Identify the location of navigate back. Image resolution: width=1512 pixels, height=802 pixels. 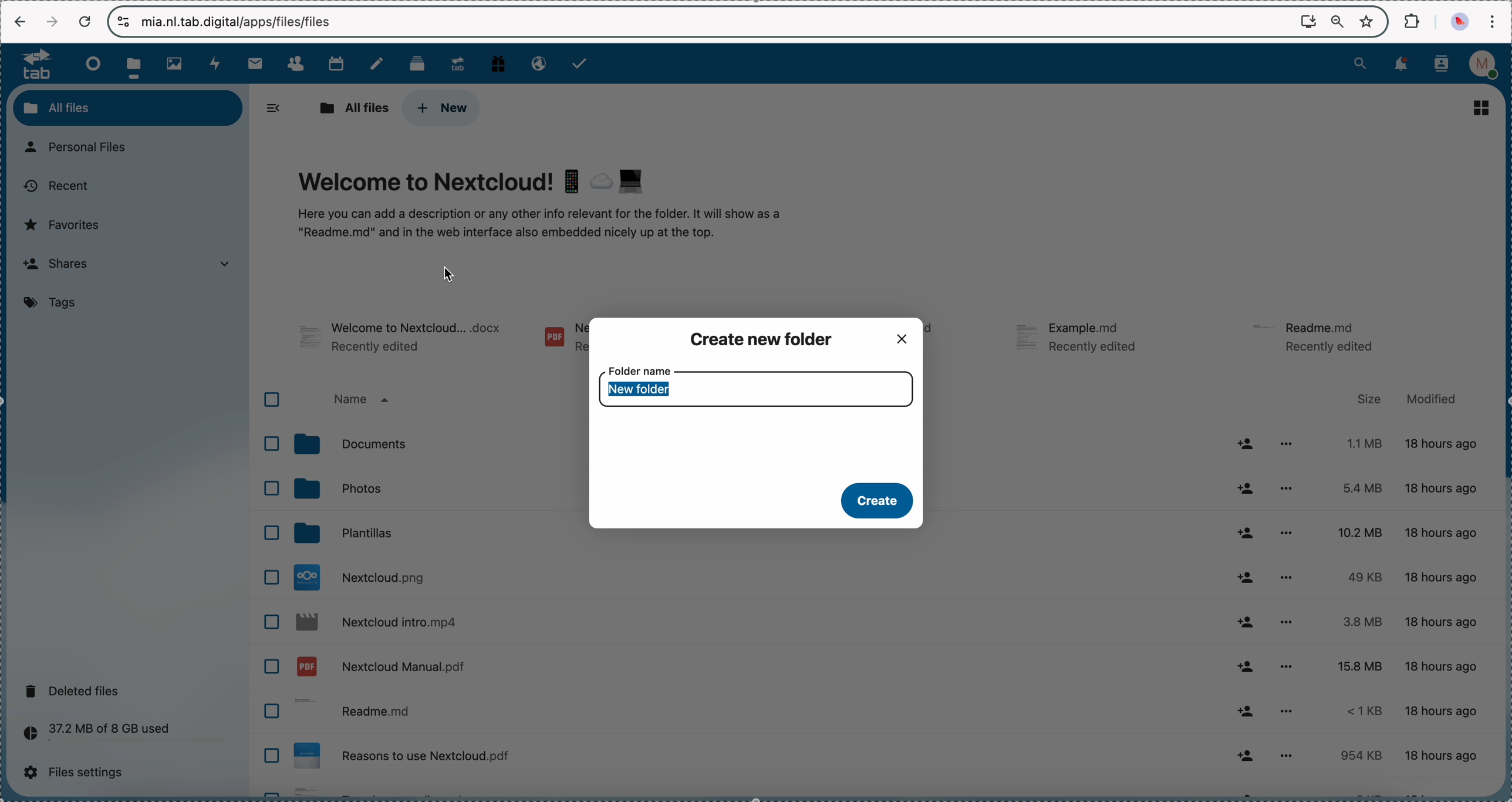
(21, 23).